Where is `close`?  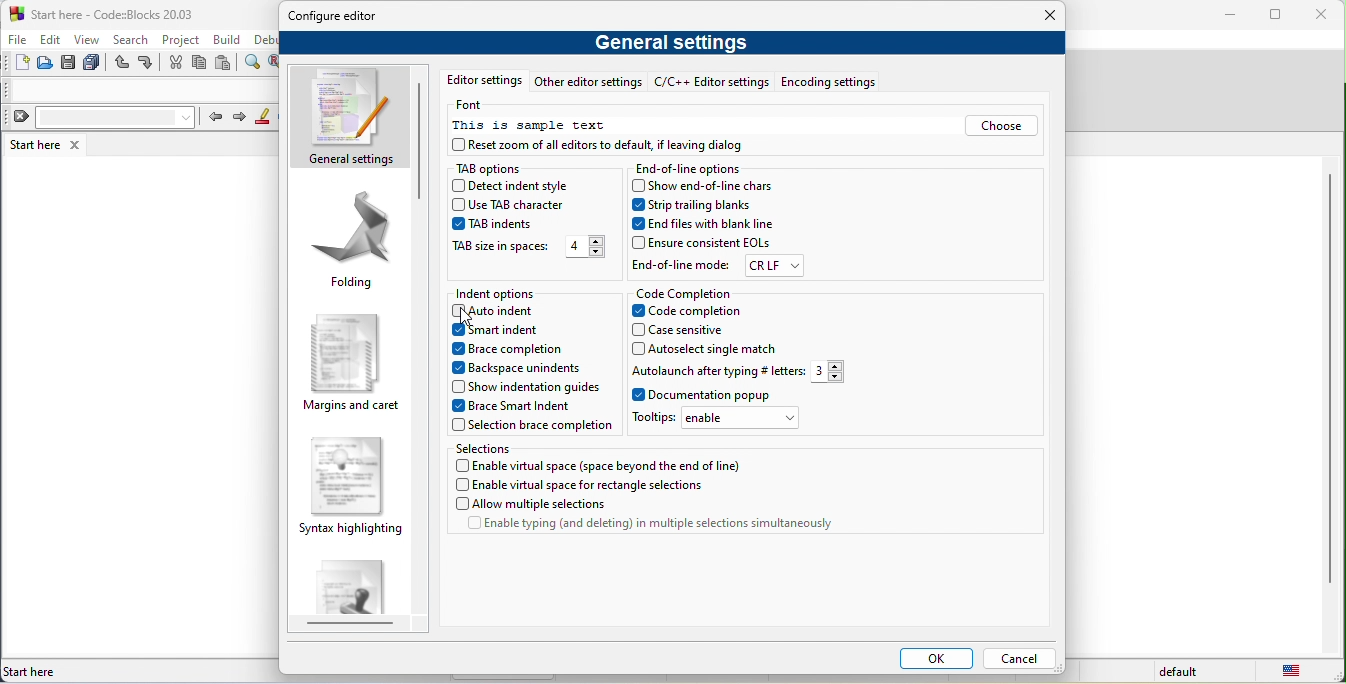 close is located at coordinates (74, 146).